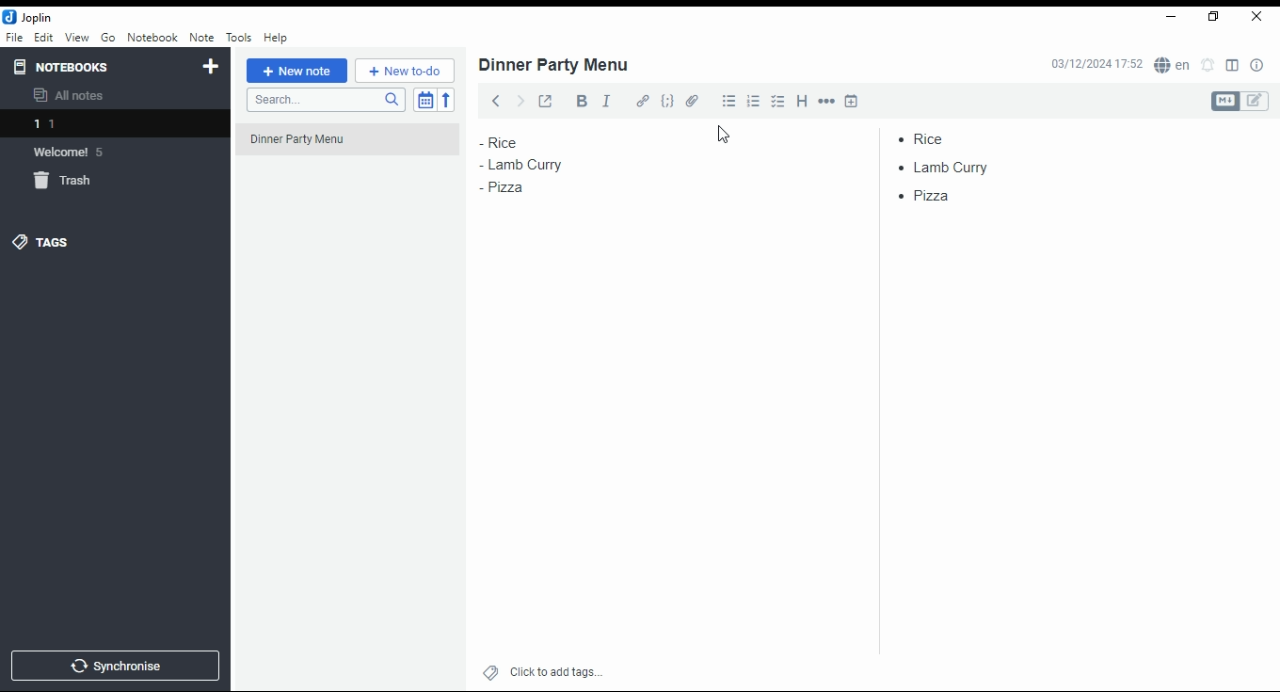 The height and width of the screenshot is (692, 1280). Describe the element at coordinates (1171, 65) in the screenshot. I see `Langauge` at that location.